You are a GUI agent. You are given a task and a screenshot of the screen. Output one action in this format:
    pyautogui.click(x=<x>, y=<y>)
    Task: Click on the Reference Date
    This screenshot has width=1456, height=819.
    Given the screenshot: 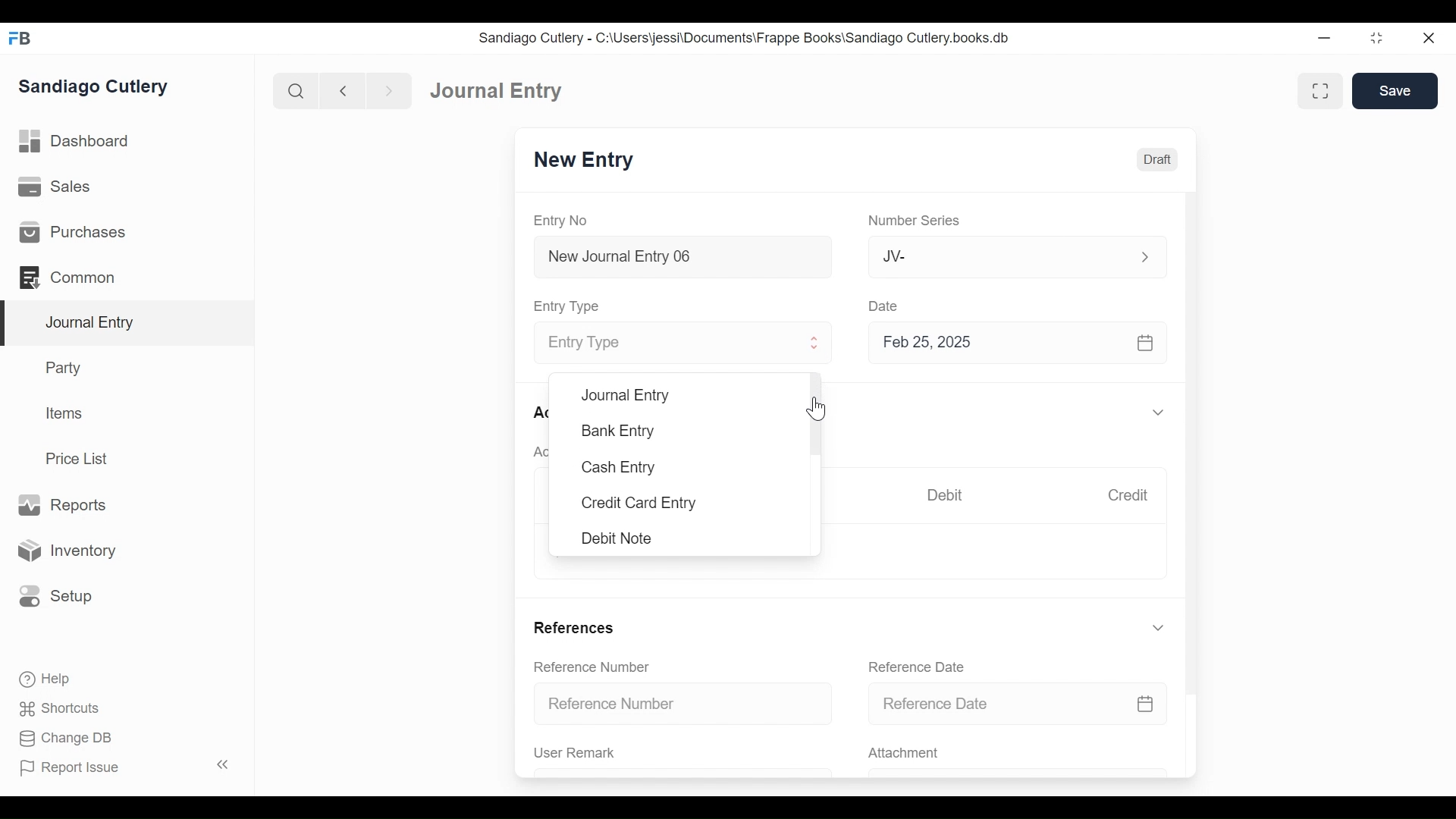 What is the action you would take?
    pyautogui.click(x=915, y=667)
    